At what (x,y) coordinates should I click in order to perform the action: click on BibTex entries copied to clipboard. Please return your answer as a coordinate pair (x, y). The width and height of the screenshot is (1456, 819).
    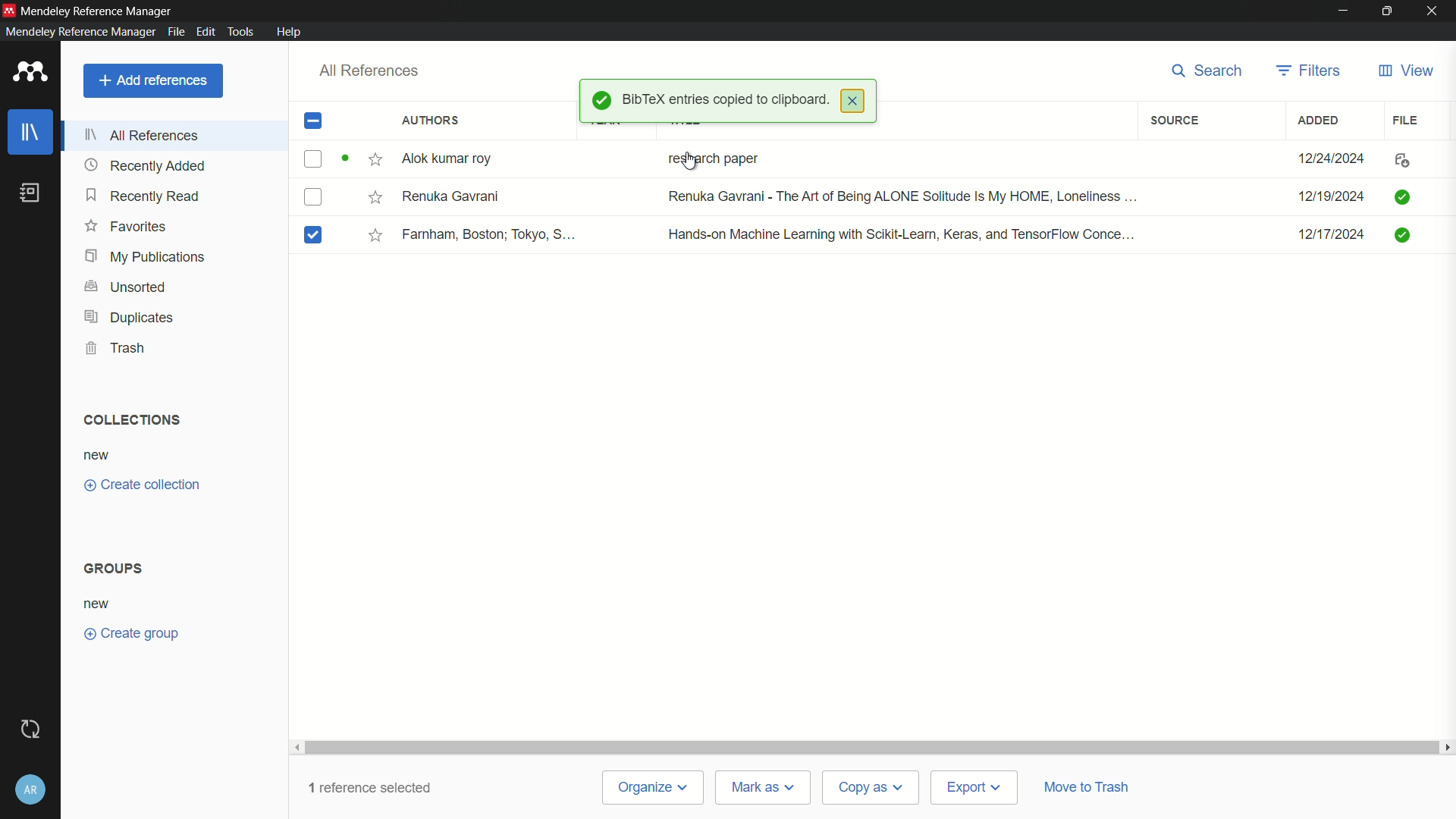
    Looking at the image, I should click on (711, 100).